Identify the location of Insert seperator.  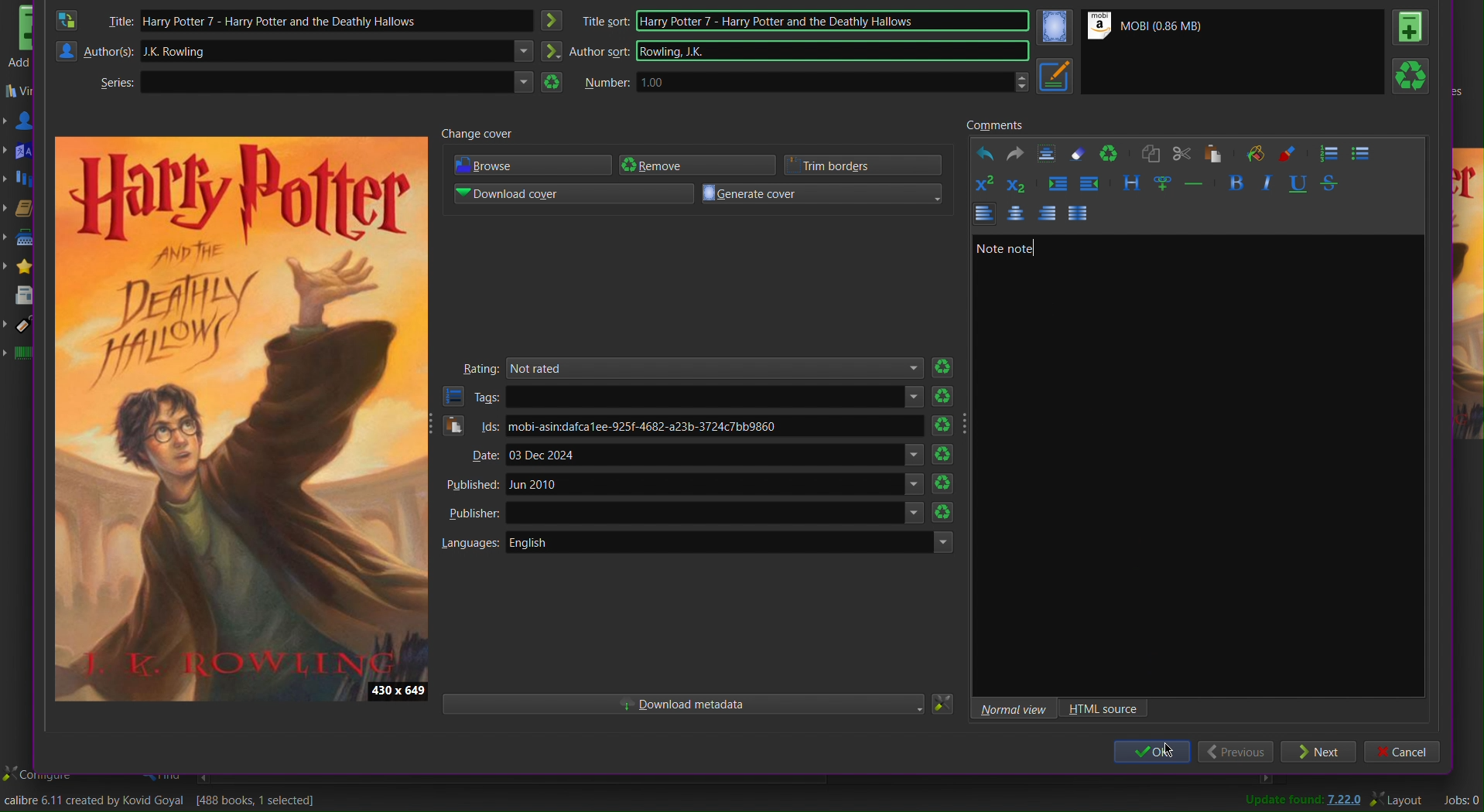
(1194, 183).